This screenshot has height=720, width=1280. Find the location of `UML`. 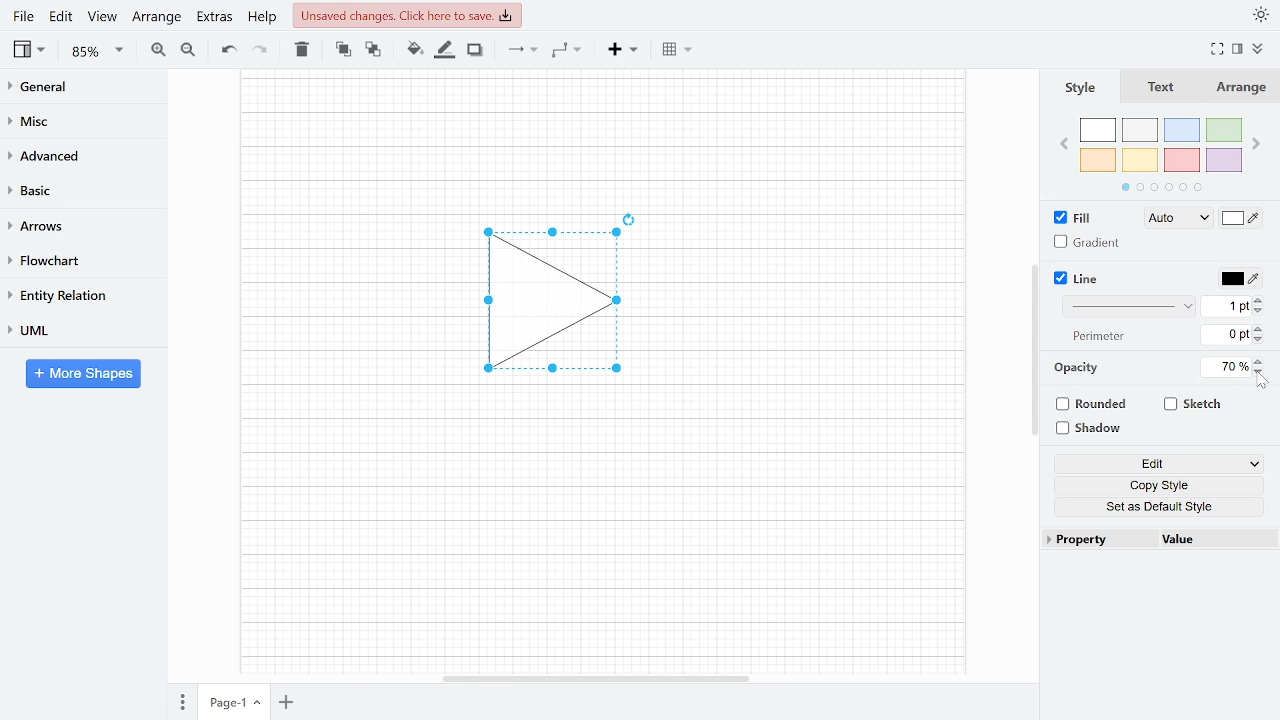

UML is located at coordinates (74, 330).